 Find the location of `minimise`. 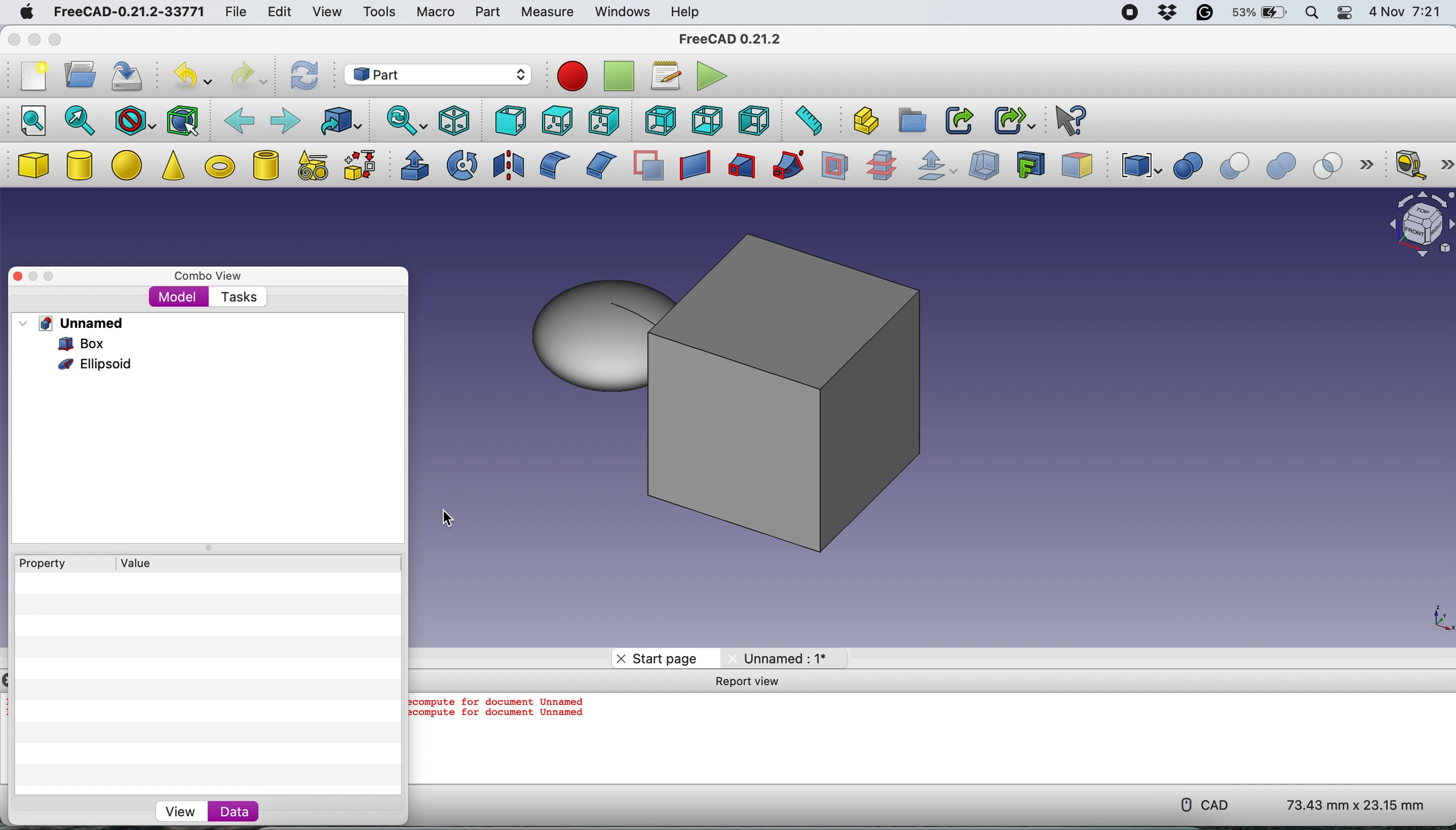

minimise is located at coordinates (32, 40).